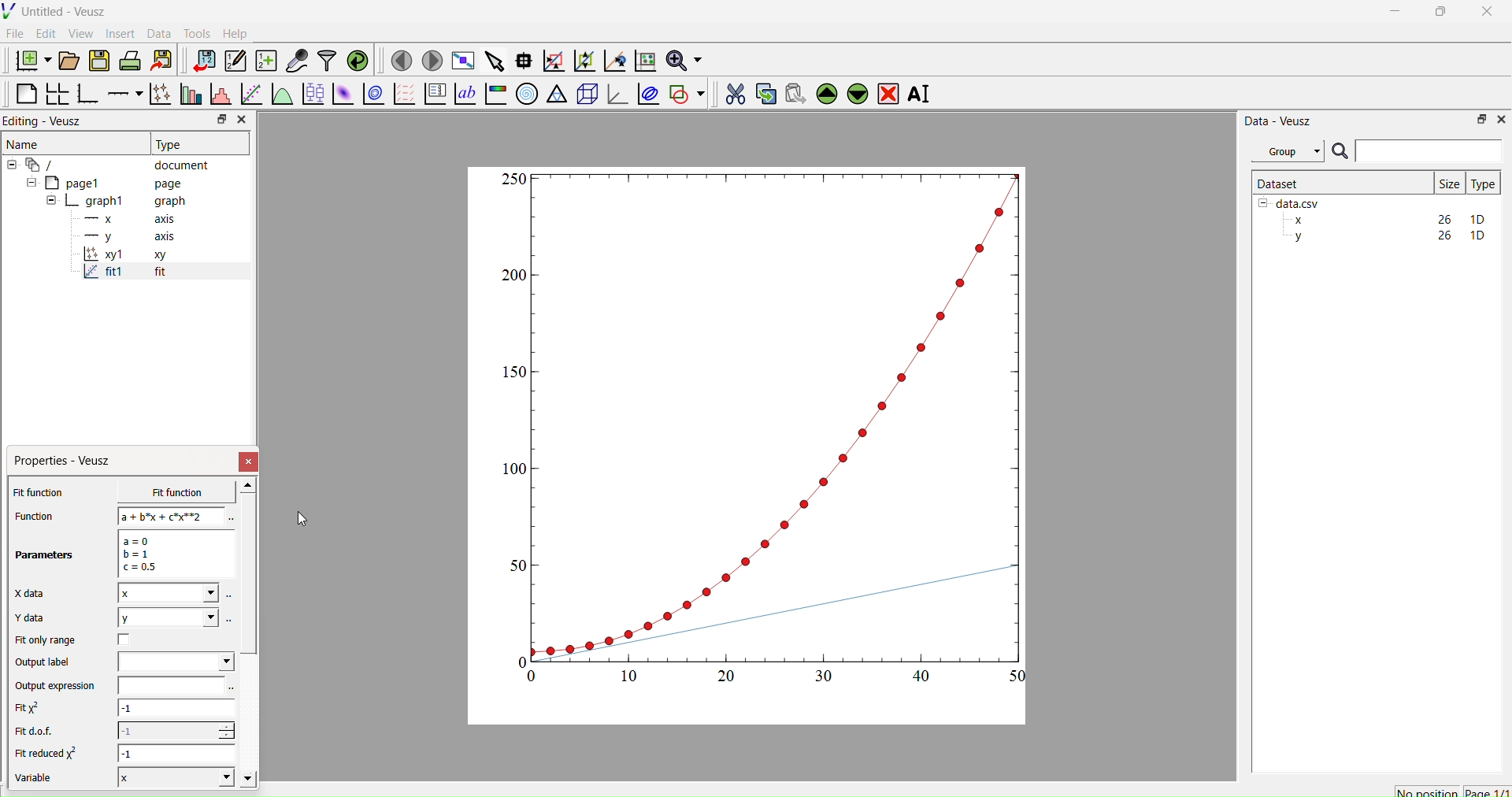  I want to click on Properties - Veusz, so click(66, 461).